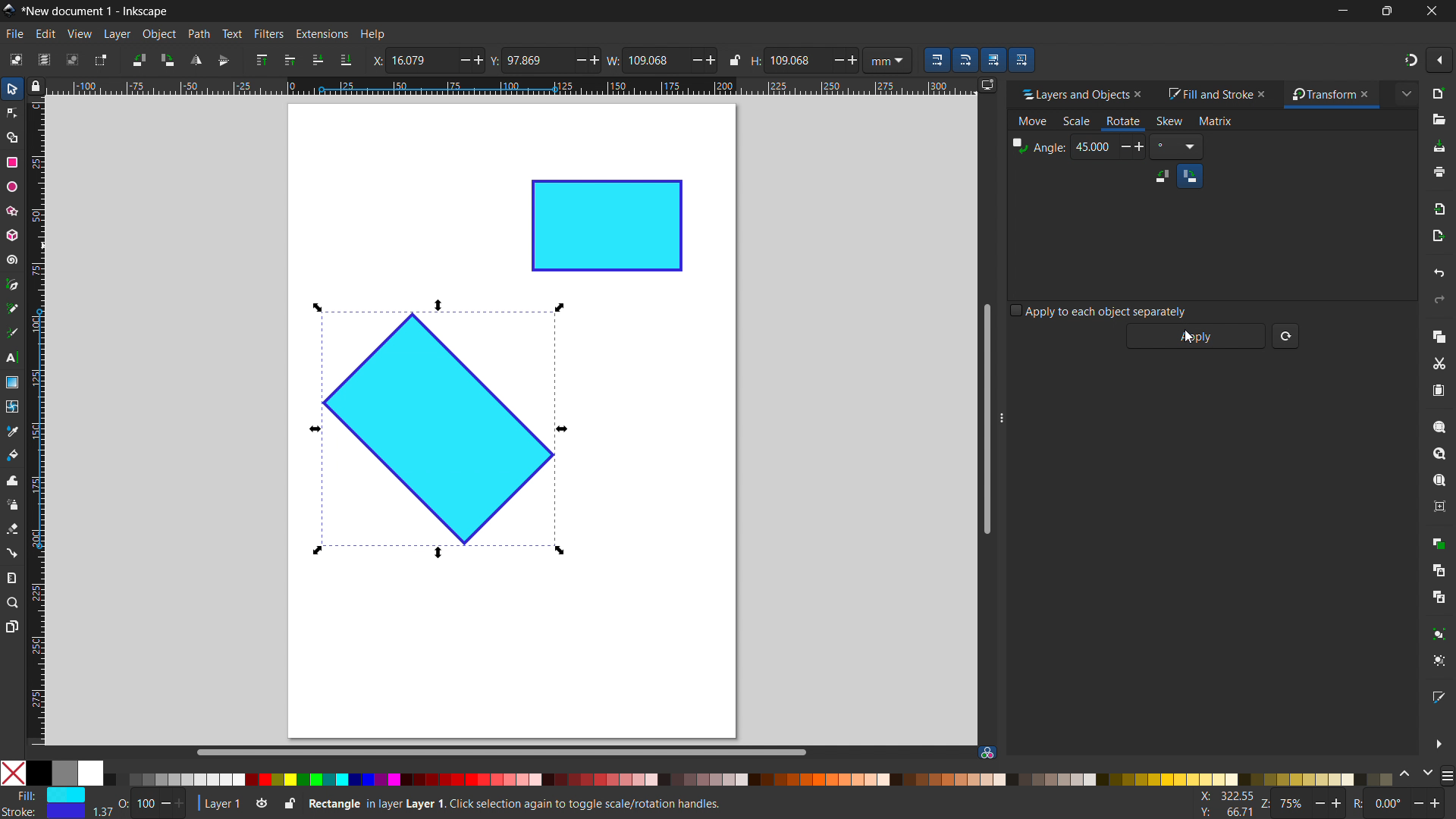 Image resolution: width=1456 pixels, height=819 pixels. What do you see at coordinates (937, 60) in the screenshot?
I see `when scaling objects, scale the stroke width by same proportion` at bounding box center [937, 60].